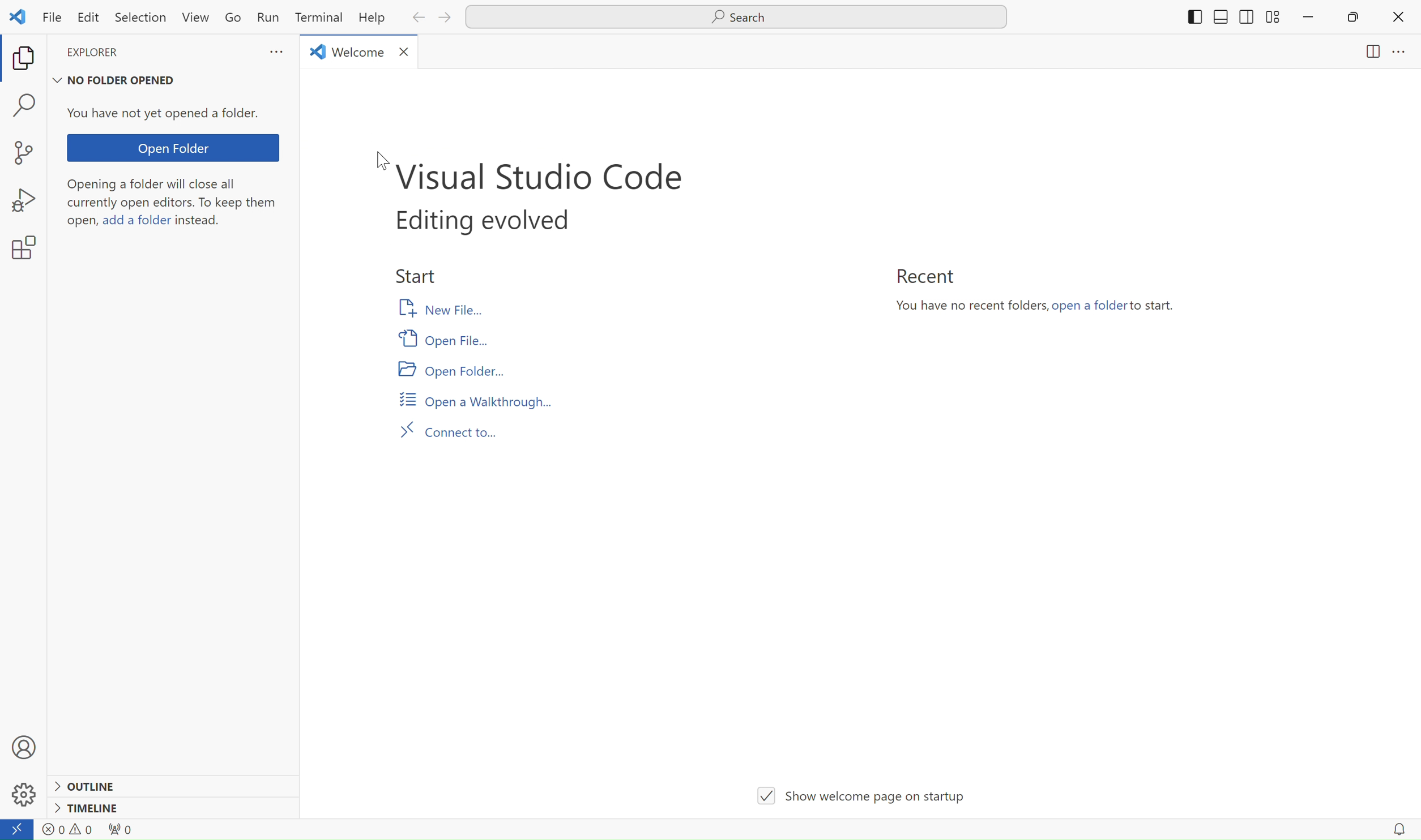 Image resolution: width=1421 pixels, height=840 pixels. I want to click on no folder opened, so click(118, 78).